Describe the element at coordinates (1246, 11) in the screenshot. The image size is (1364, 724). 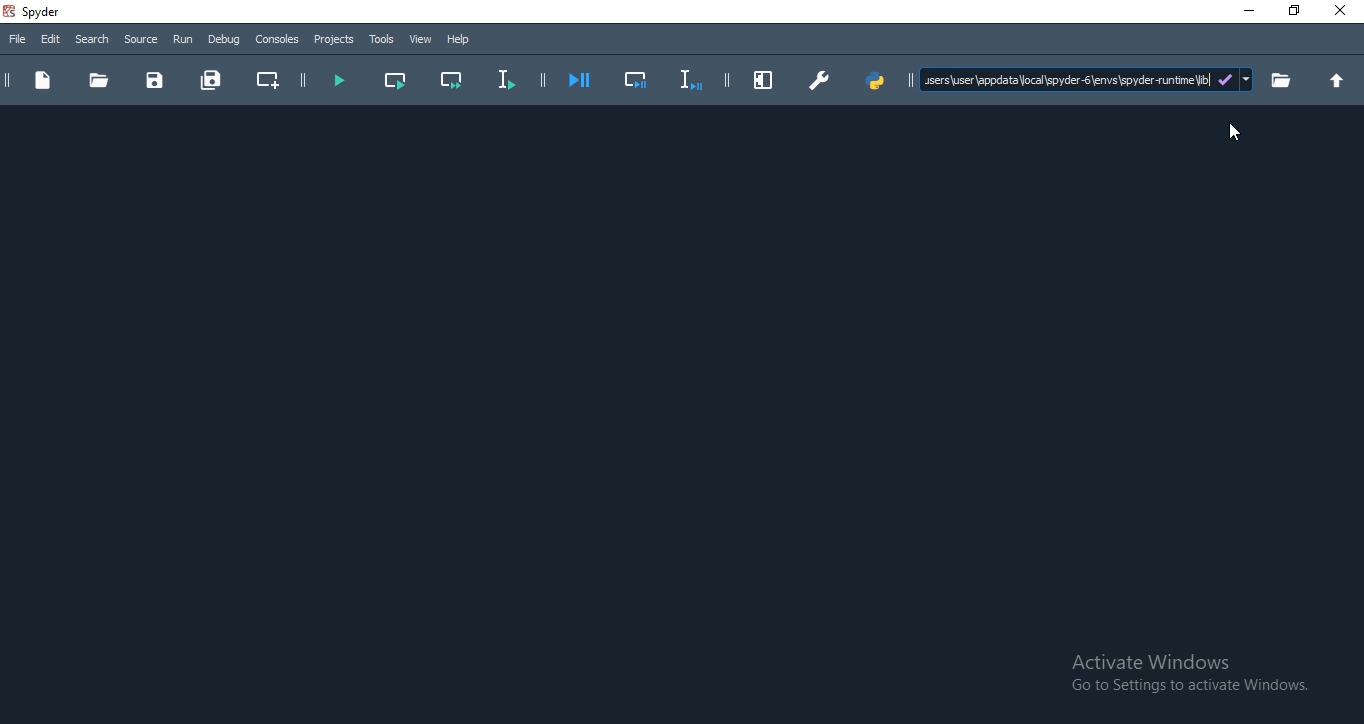
I see `Minimise` at that location.